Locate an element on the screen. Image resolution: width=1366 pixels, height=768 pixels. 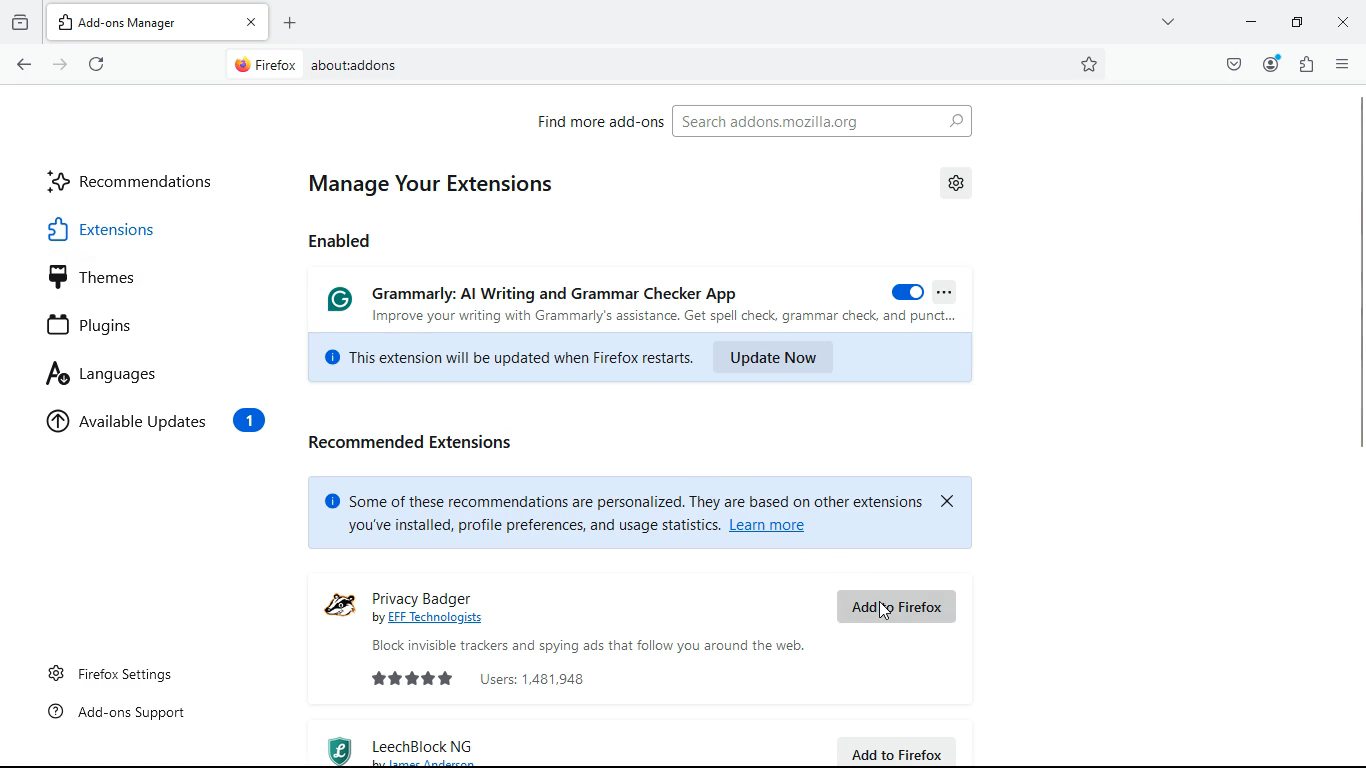
available updates is located at coordinates (155, 423).